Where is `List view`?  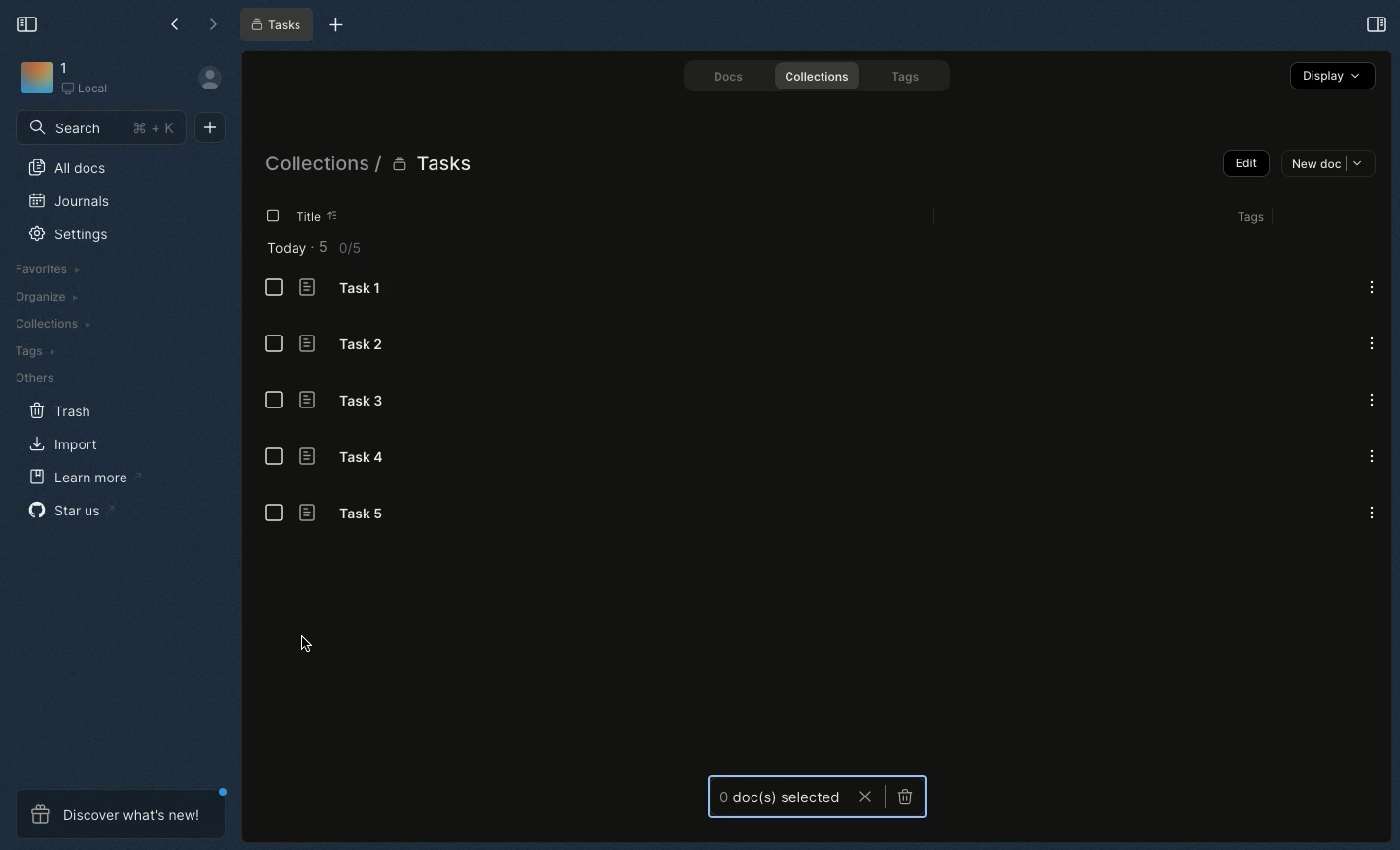 List view is located at coordinates (272, 343).